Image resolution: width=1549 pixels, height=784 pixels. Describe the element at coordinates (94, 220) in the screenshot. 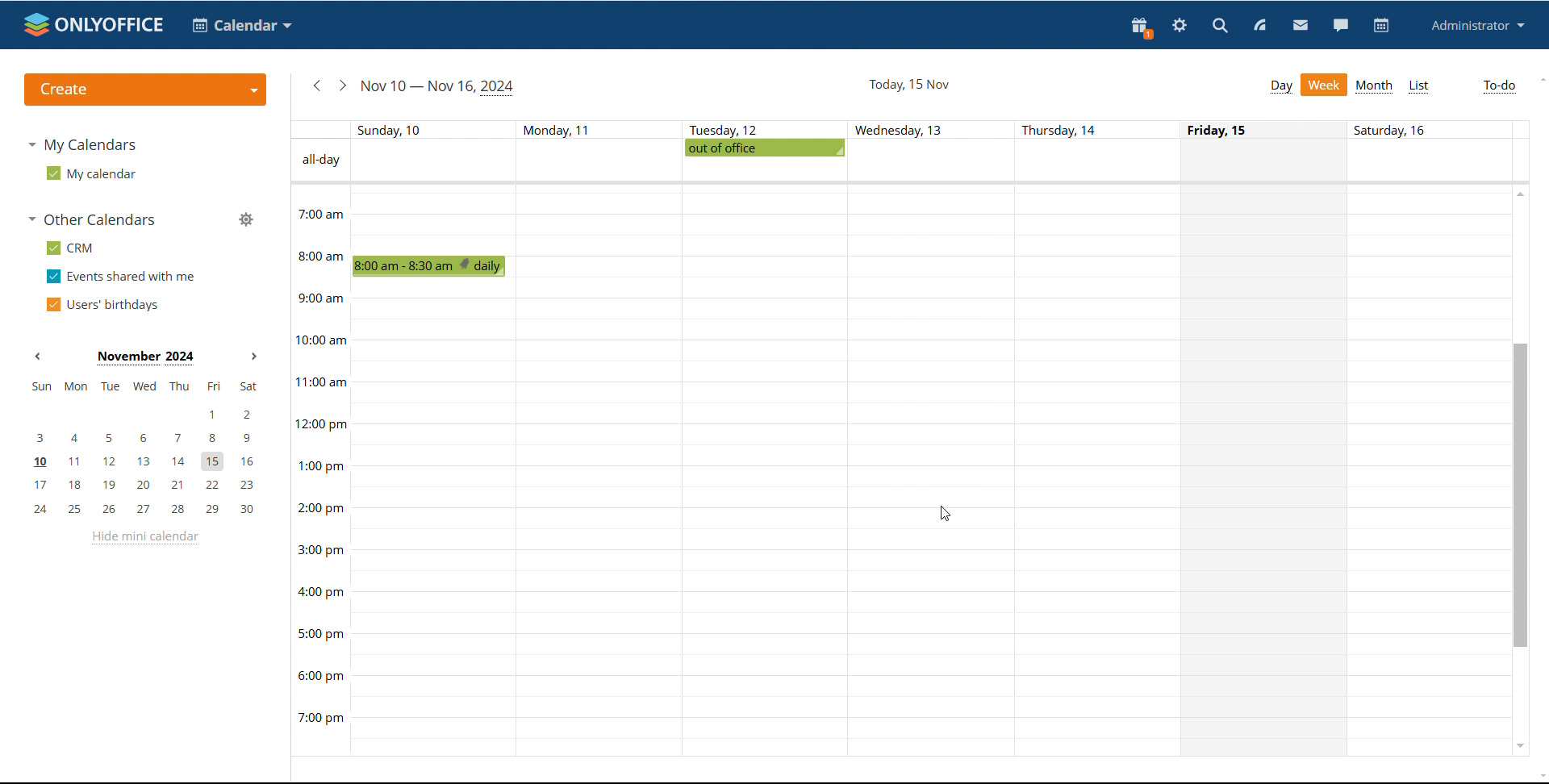

I see `other calendars` at that location.